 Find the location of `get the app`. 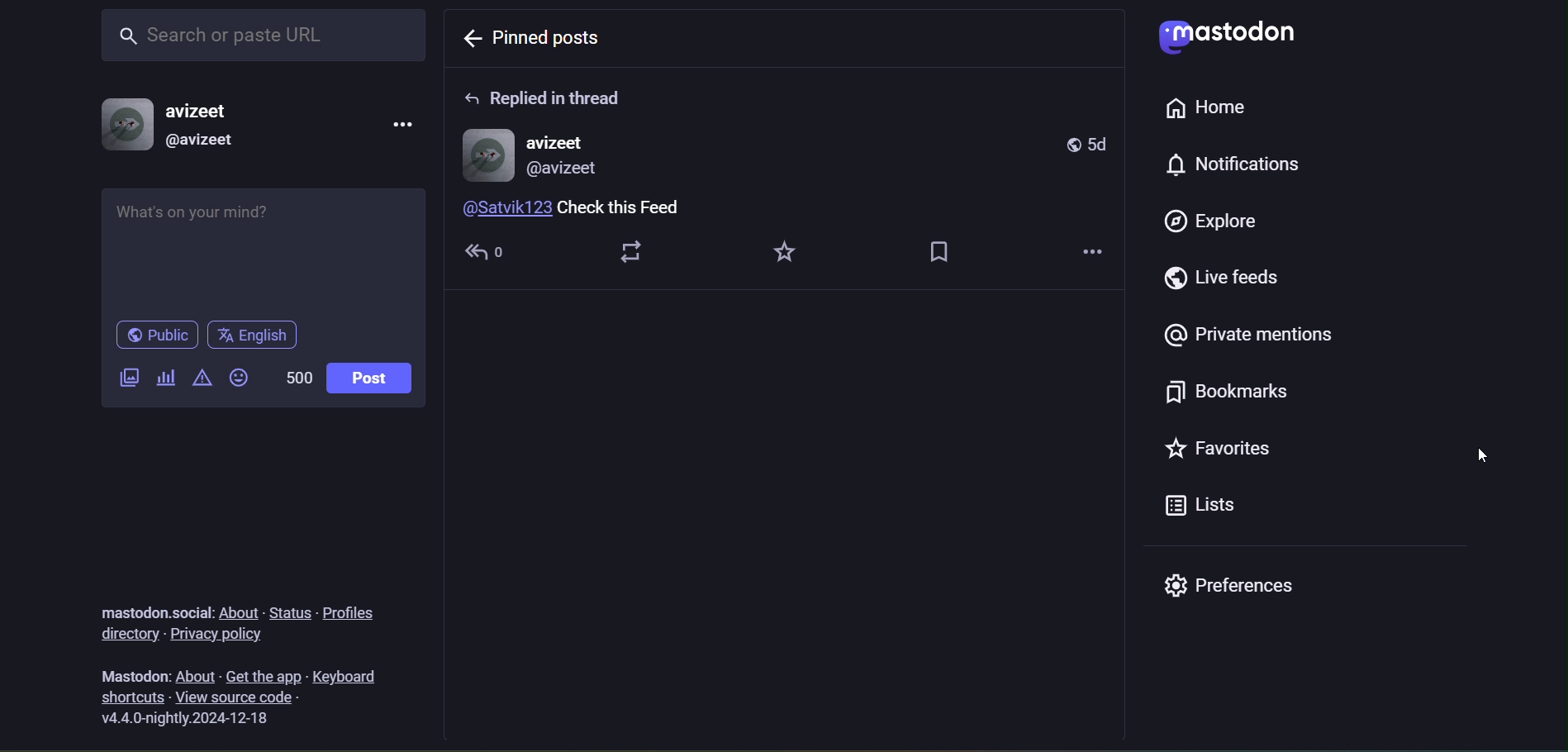

get the app is located at coordinates (262, 673).